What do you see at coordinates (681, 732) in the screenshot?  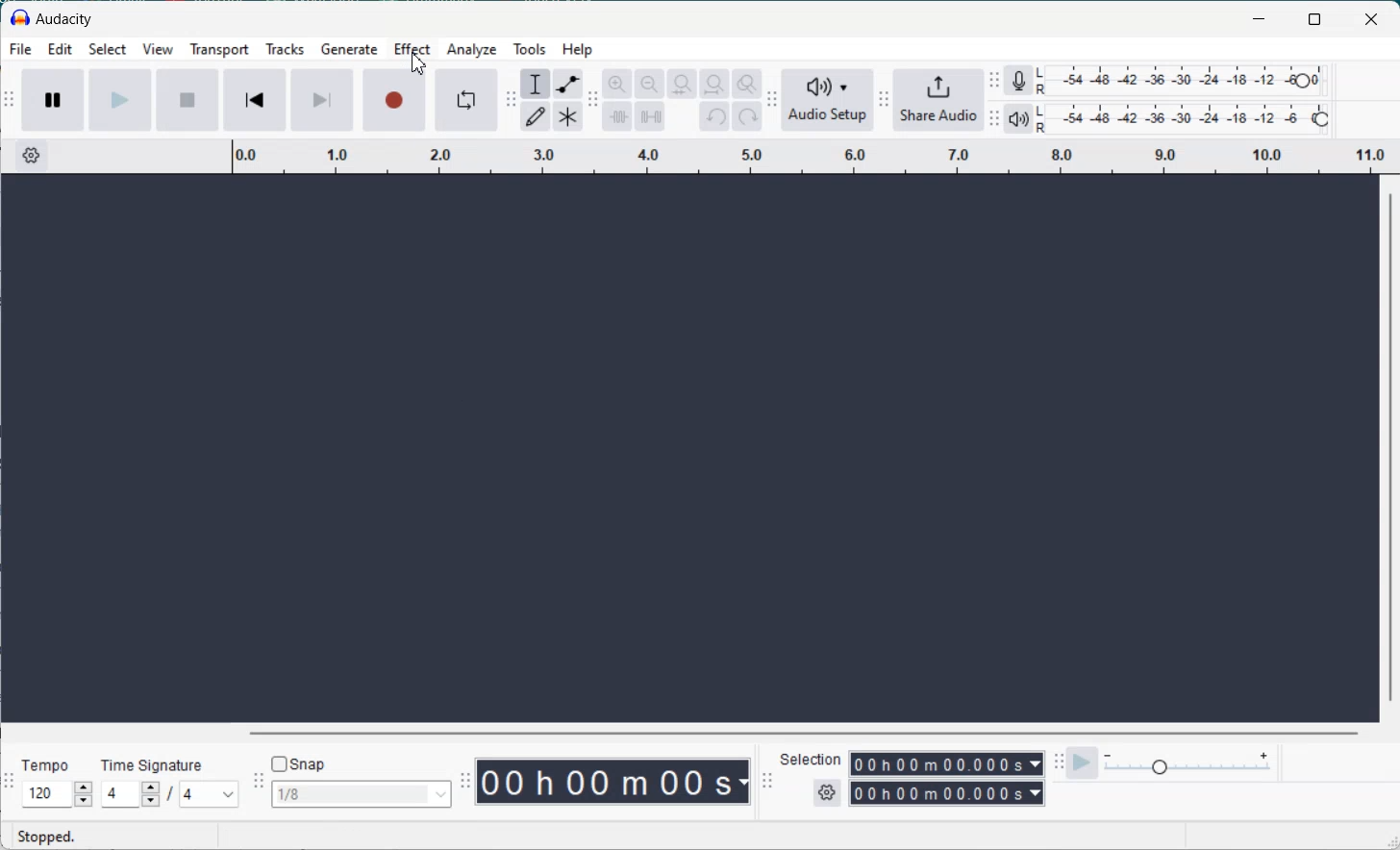 I see `Horizontal Scroll bar` at bounding box center [681, 732].